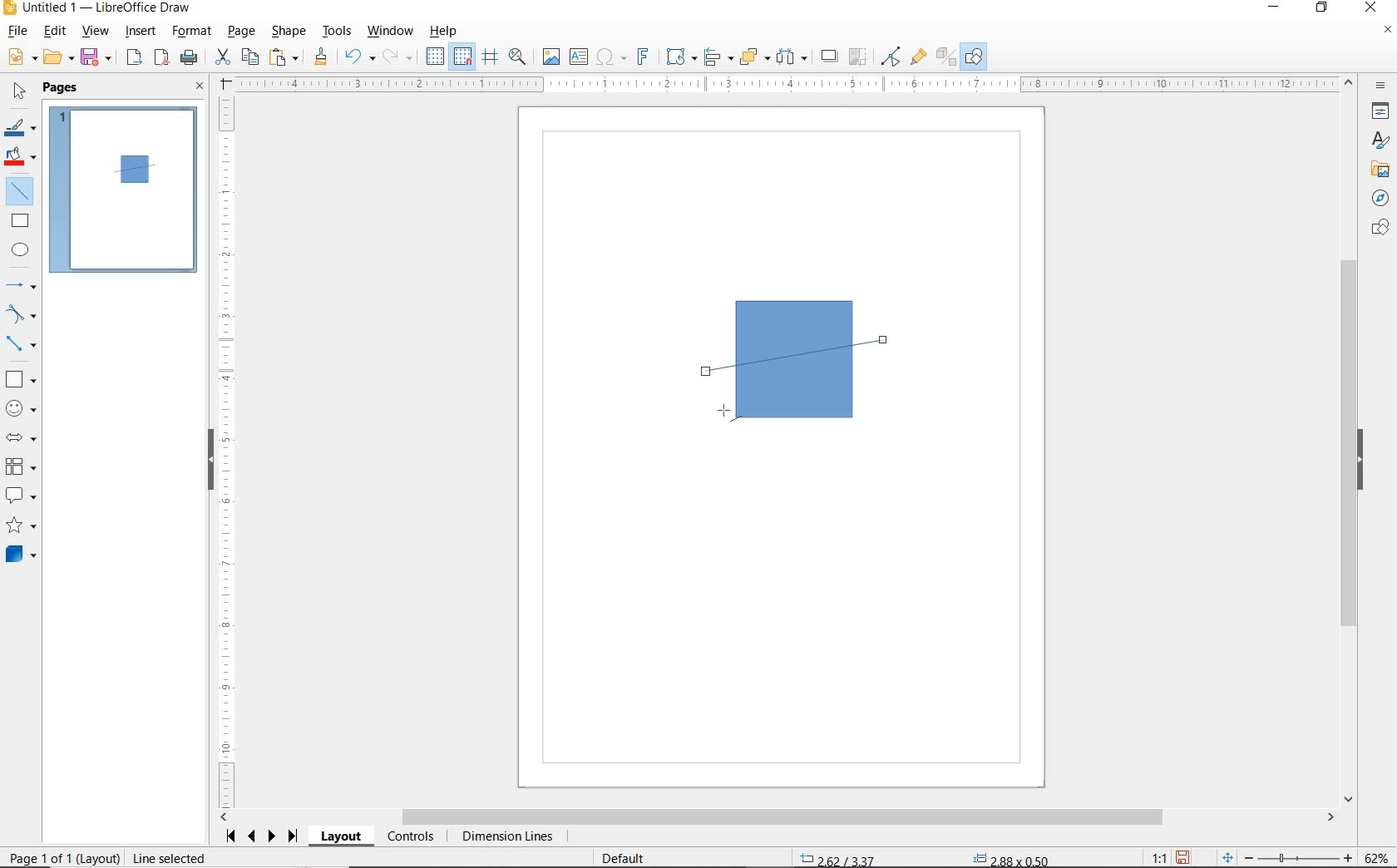 This screenshot has height=868, width=1397. I want to click on DIMENSION LINES, so click(506, 837).